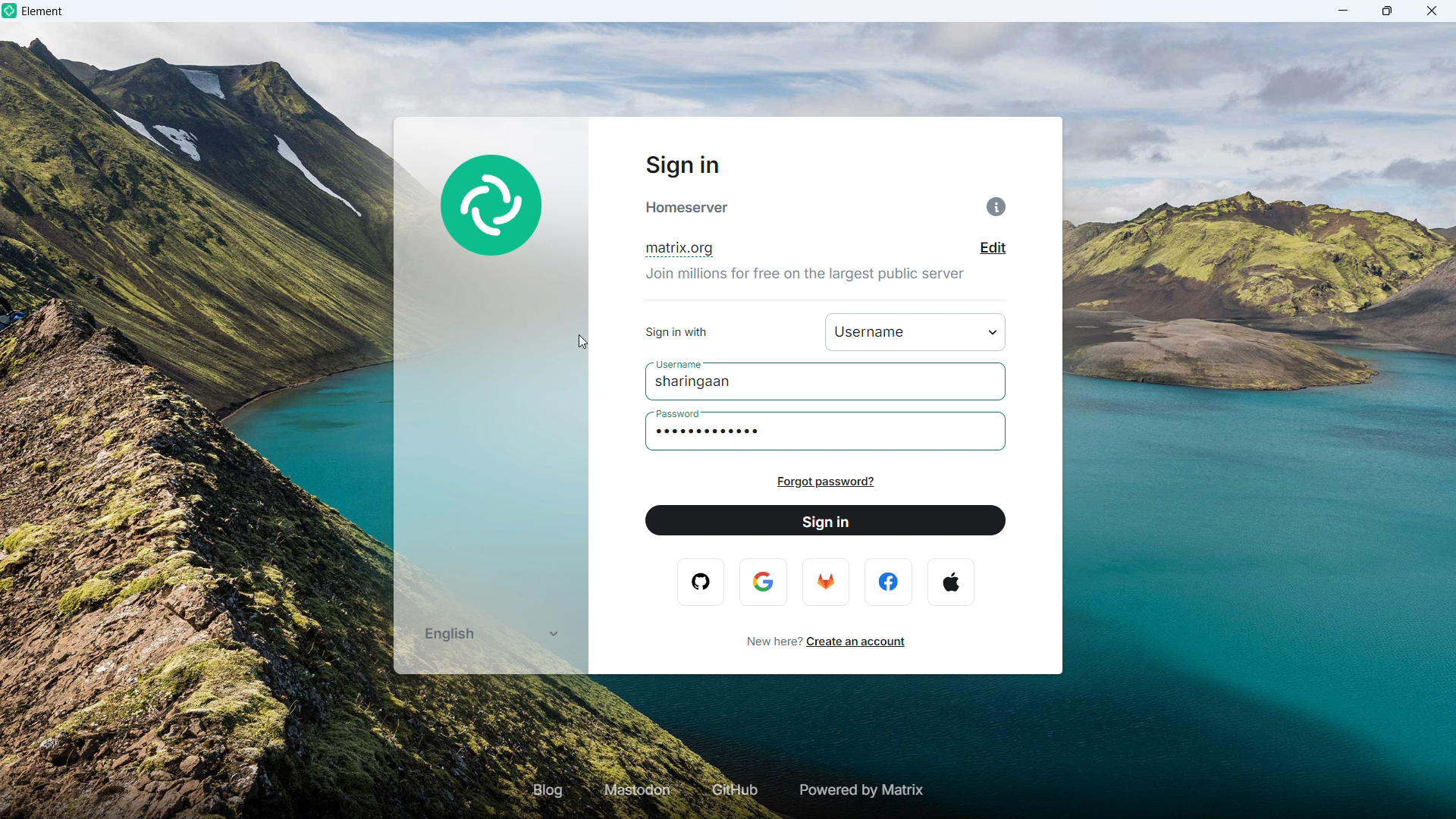 The height and width of the screenshot is (819, 1456). What do you see at coordinates (689, 208) in the screenshot?
I see `home Server ` at bounding box center [689, 208].